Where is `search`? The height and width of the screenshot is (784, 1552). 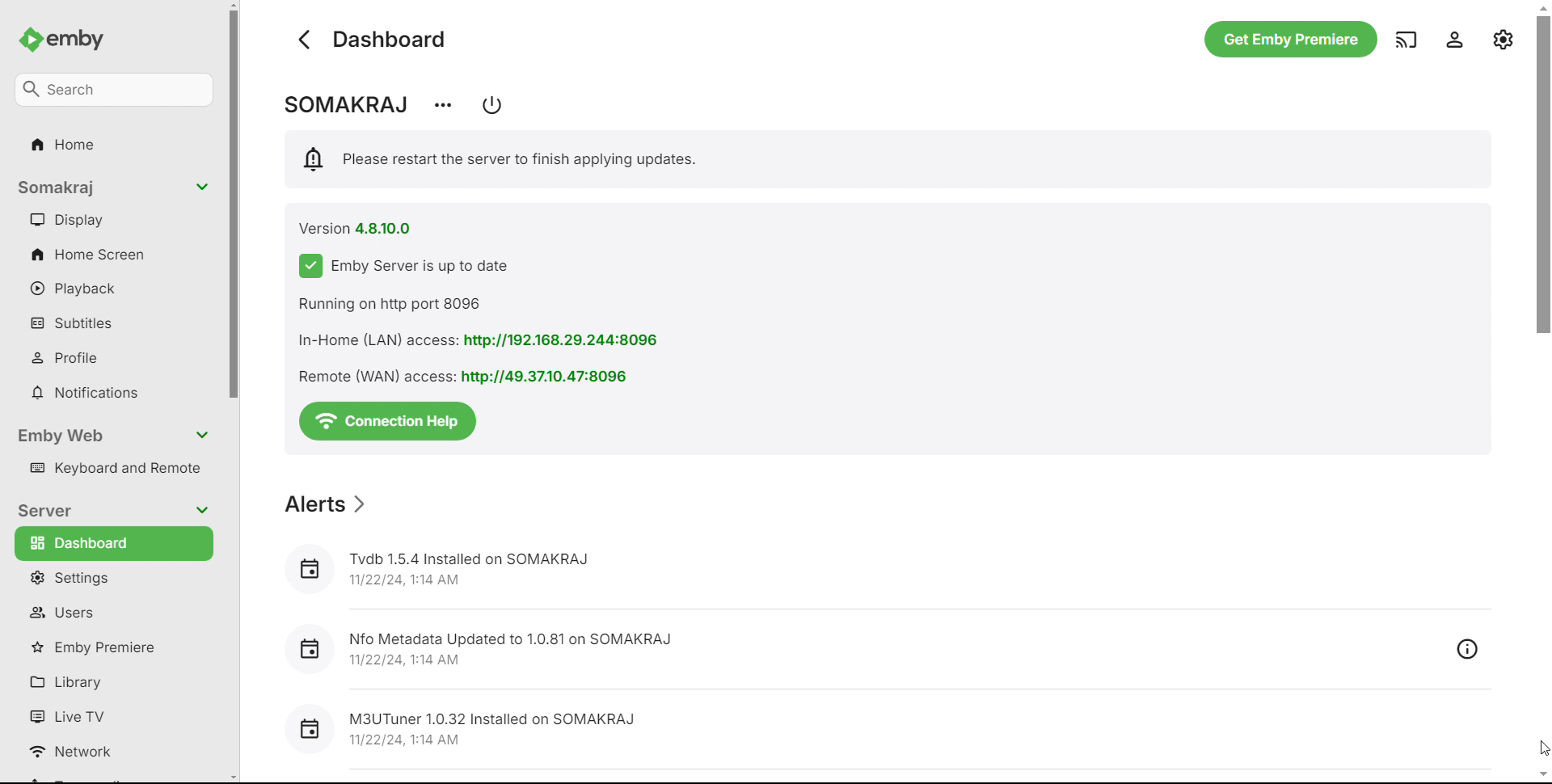
search is located at coordinates (113, 91).